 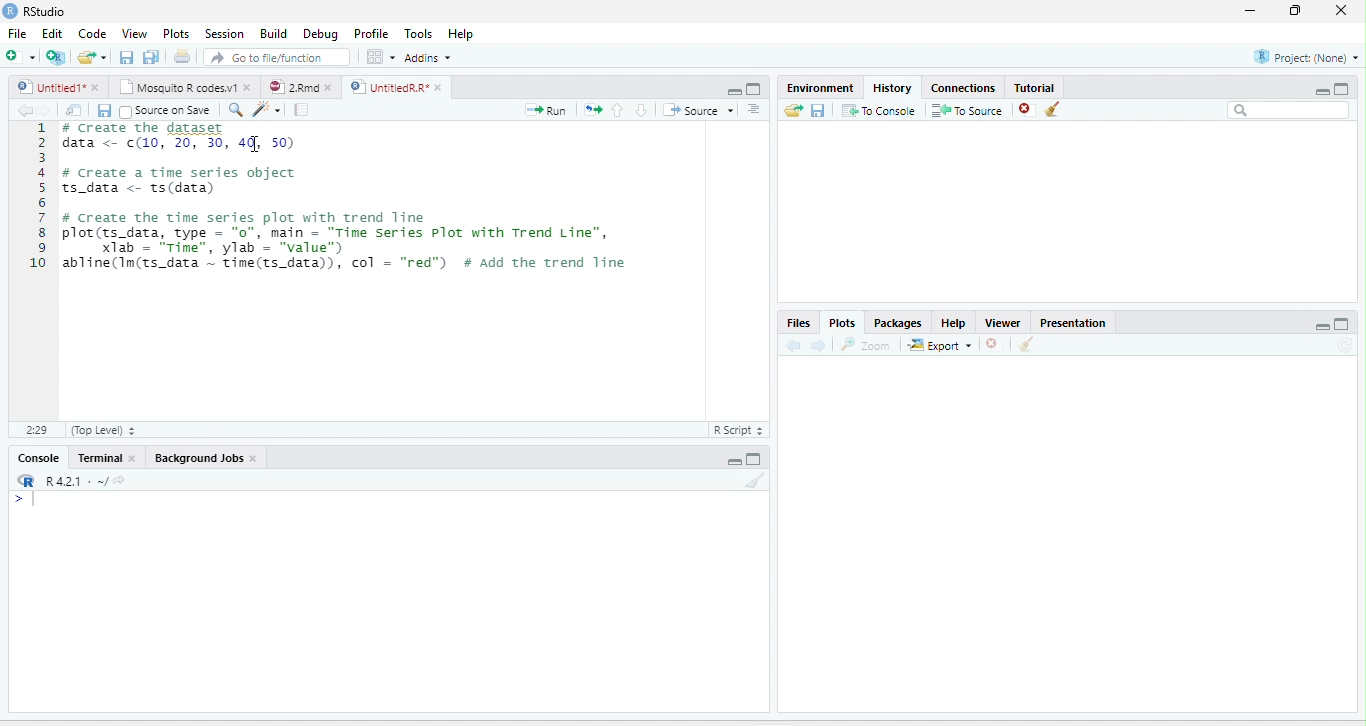 What do you see at coordinates (34, 10) in the screenshot?
I see `RStudio` at bounding box center [34, 10].